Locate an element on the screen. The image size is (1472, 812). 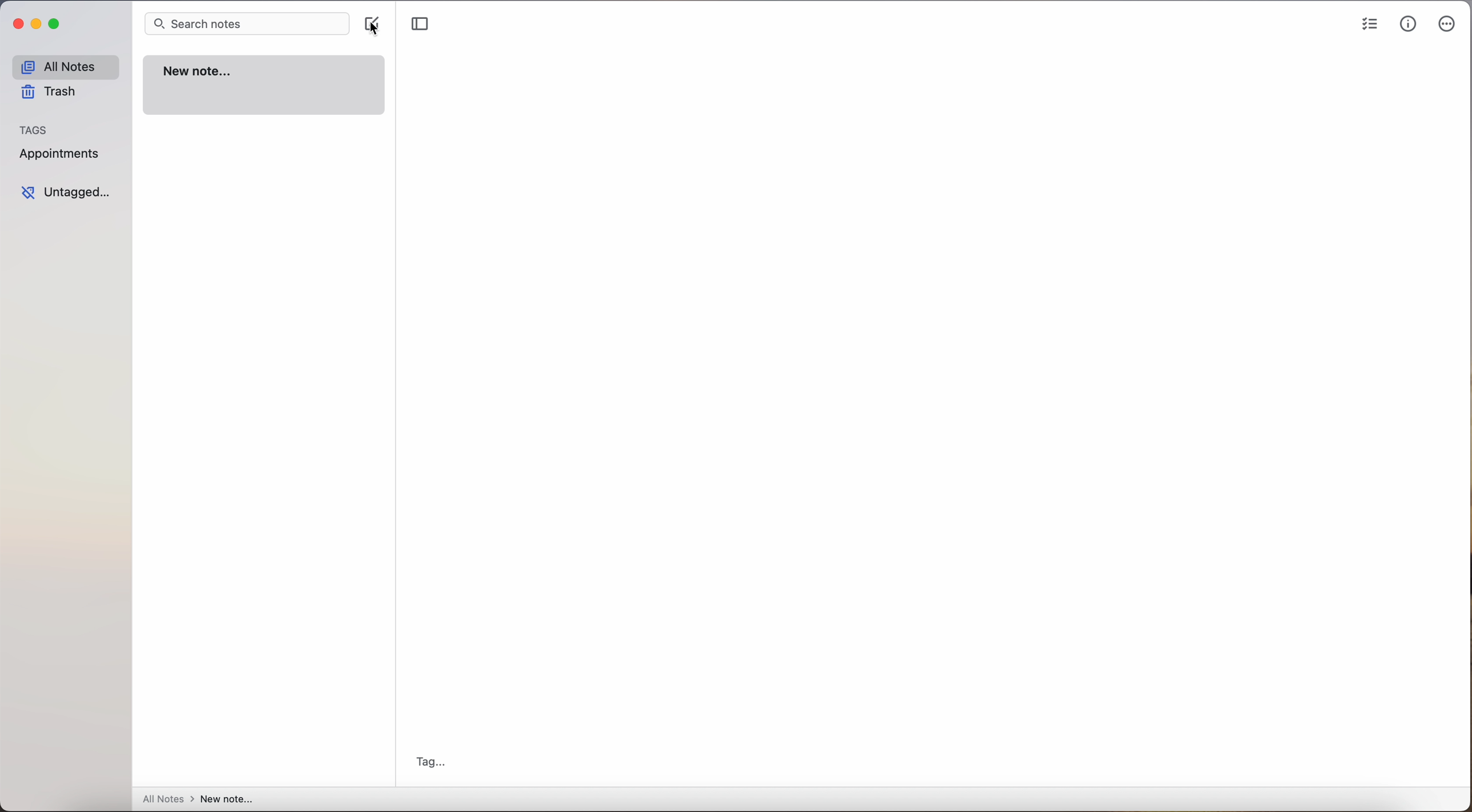
check list is located at coordinates (1369, 25).